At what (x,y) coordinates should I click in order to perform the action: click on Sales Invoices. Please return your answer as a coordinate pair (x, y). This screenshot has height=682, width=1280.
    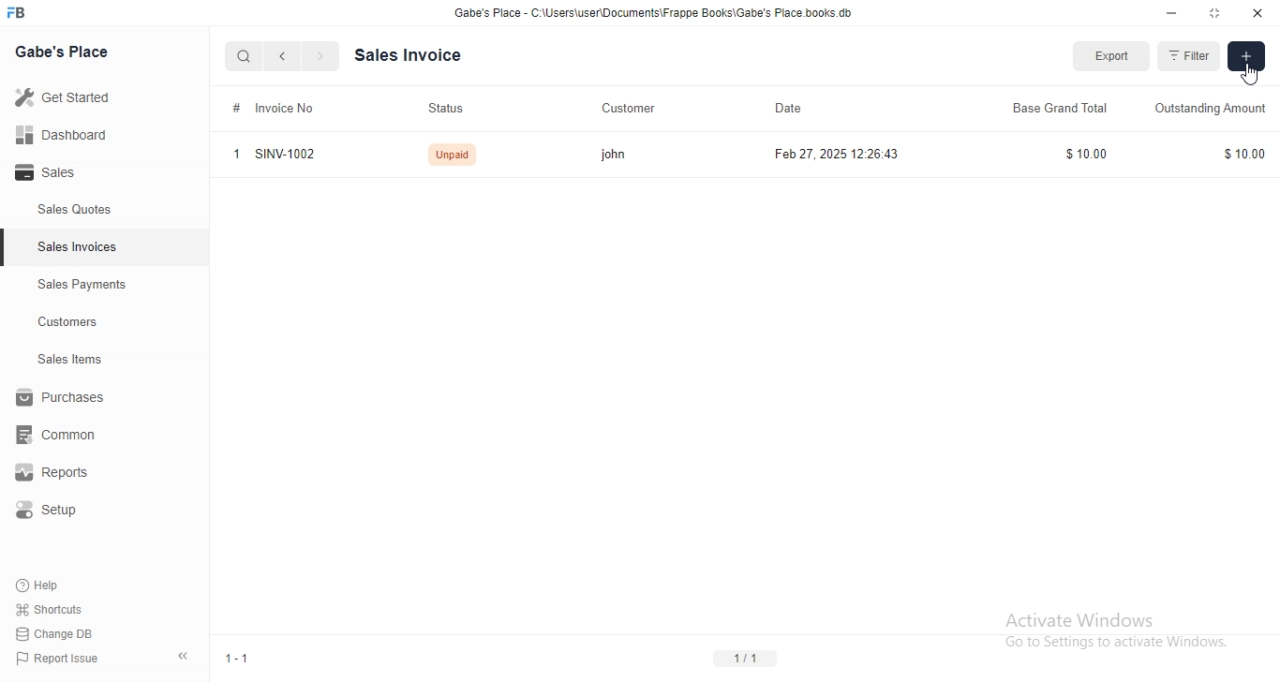
    Looking at the image, I should click on (79, 247).